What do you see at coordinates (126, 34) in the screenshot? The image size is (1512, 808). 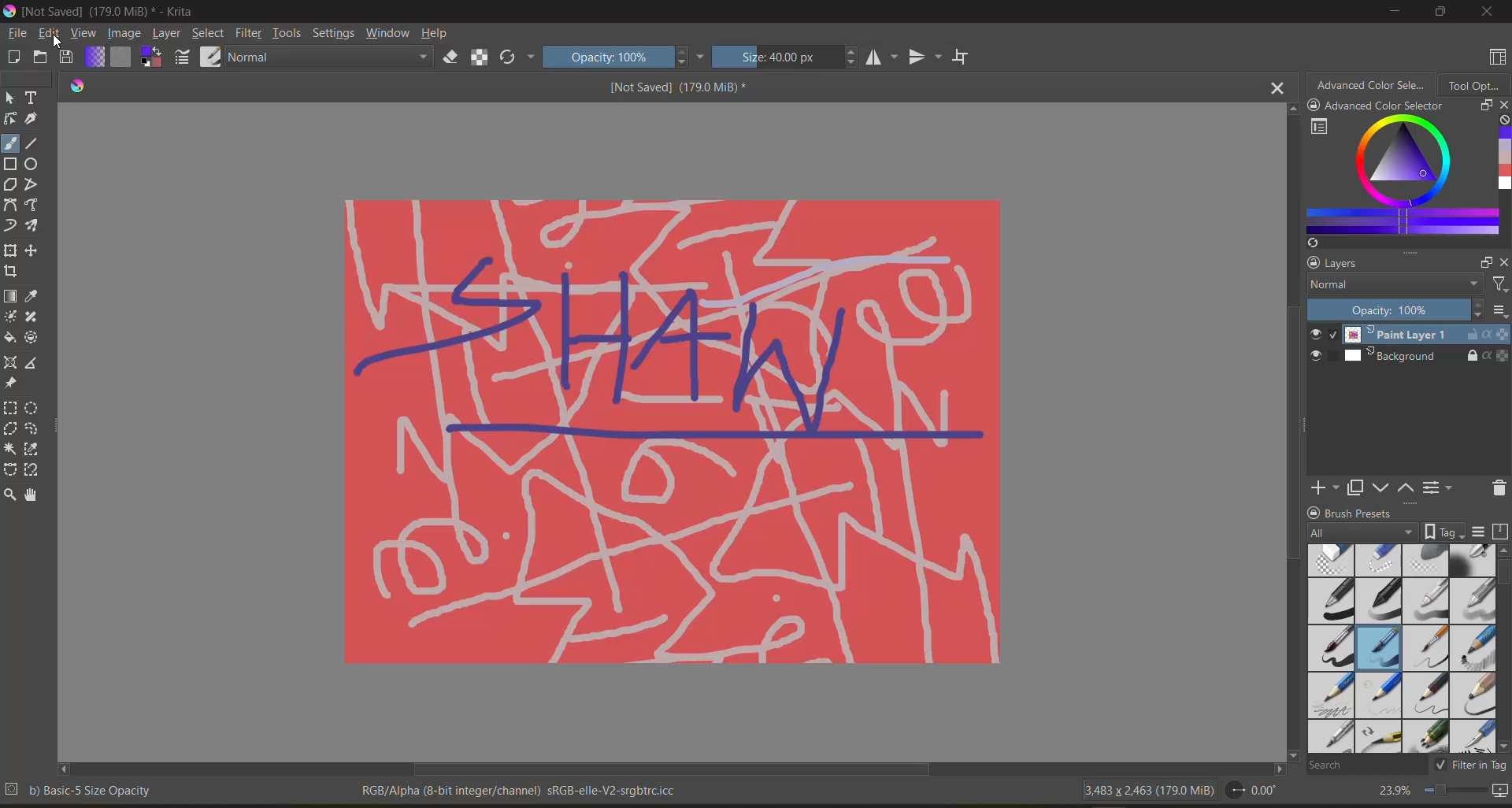 I see `image` at bounding box center [126, 34].